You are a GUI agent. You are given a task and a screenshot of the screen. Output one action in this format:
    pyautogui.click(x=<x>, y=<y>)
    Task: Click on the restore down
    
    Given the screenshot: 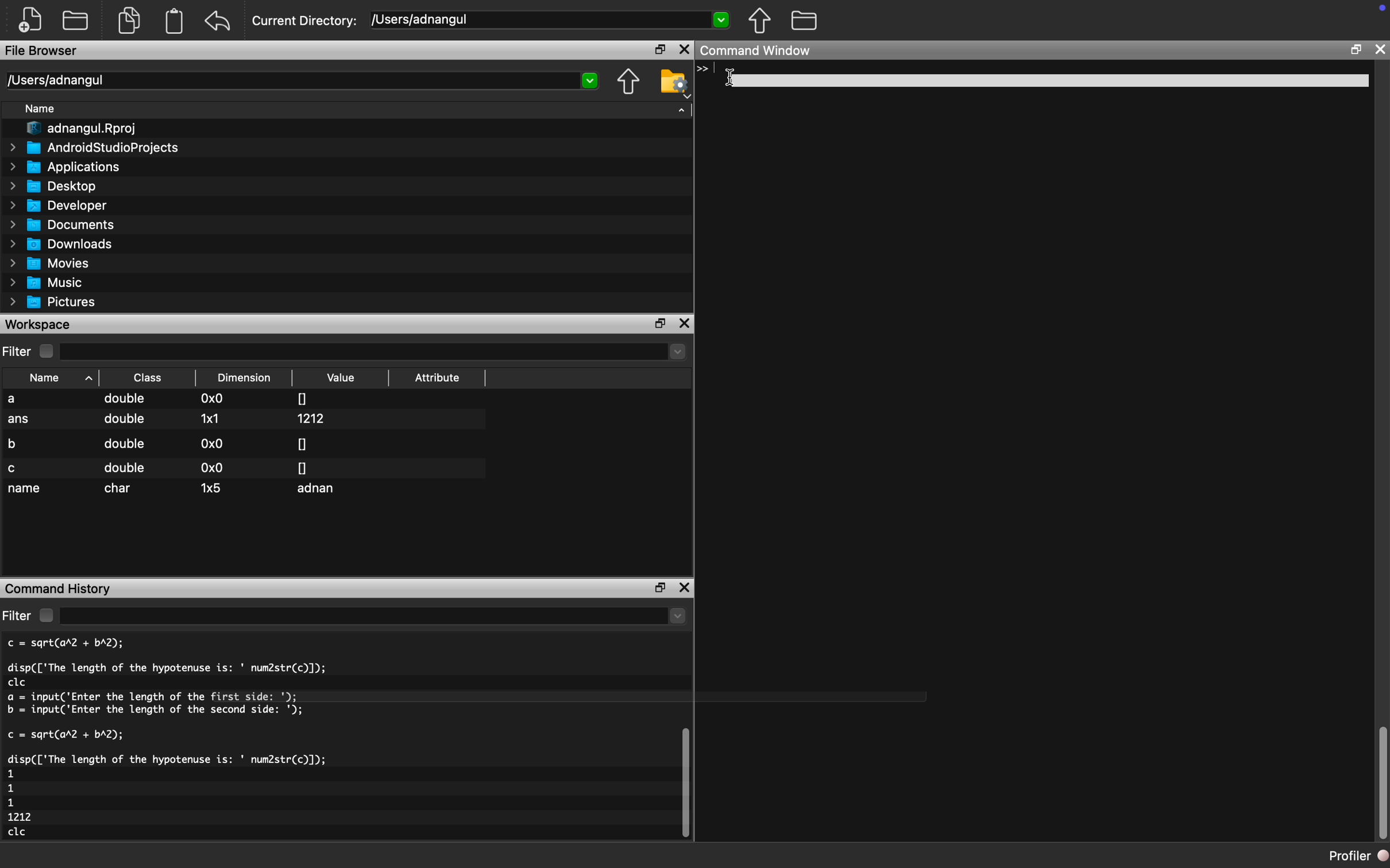 What is the action you would take?
    pyautogui.click(x=1355, y=52)
    